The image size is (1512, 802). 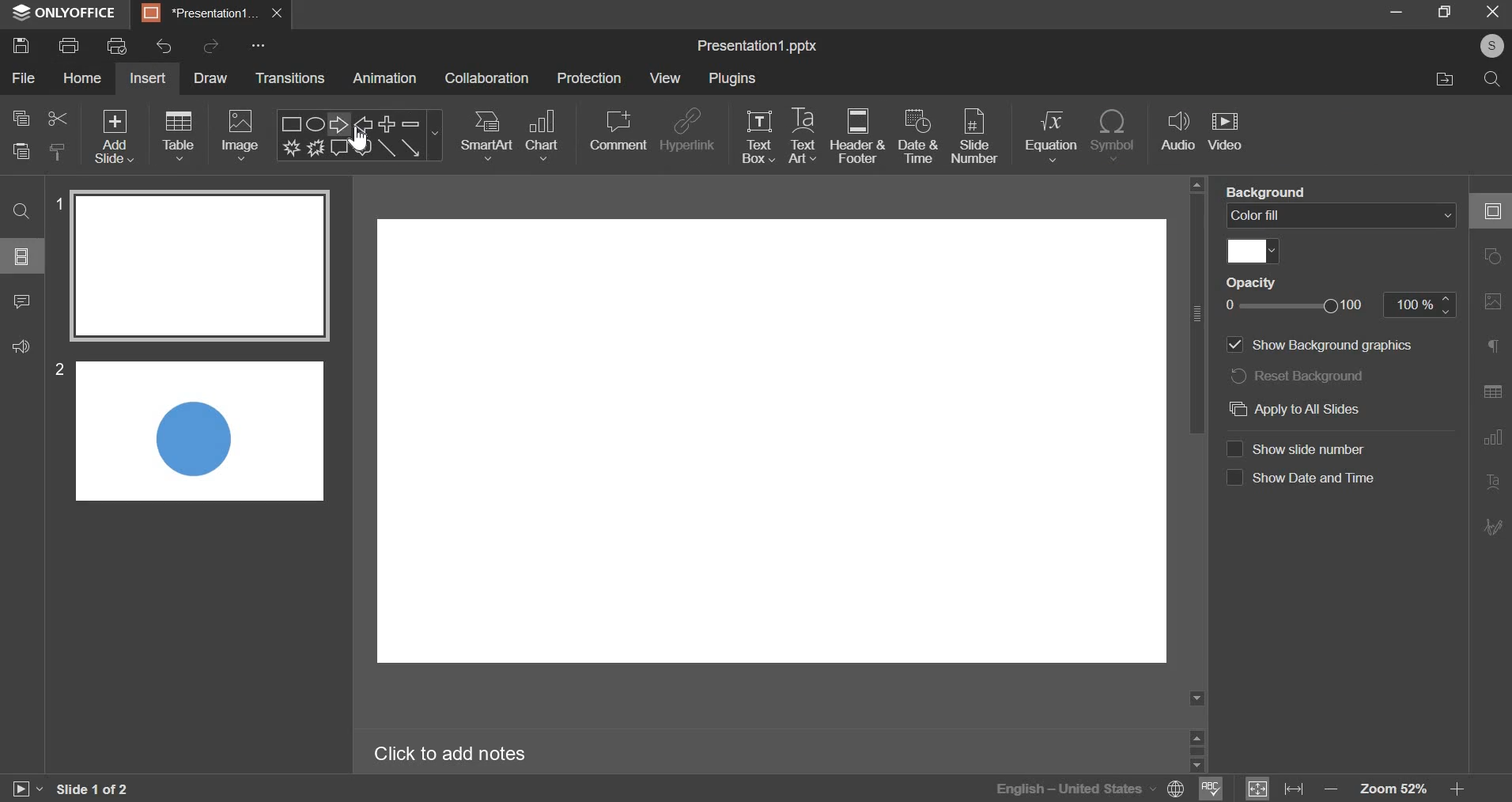 I want to click on spell check, so click(x=1211, y=789).